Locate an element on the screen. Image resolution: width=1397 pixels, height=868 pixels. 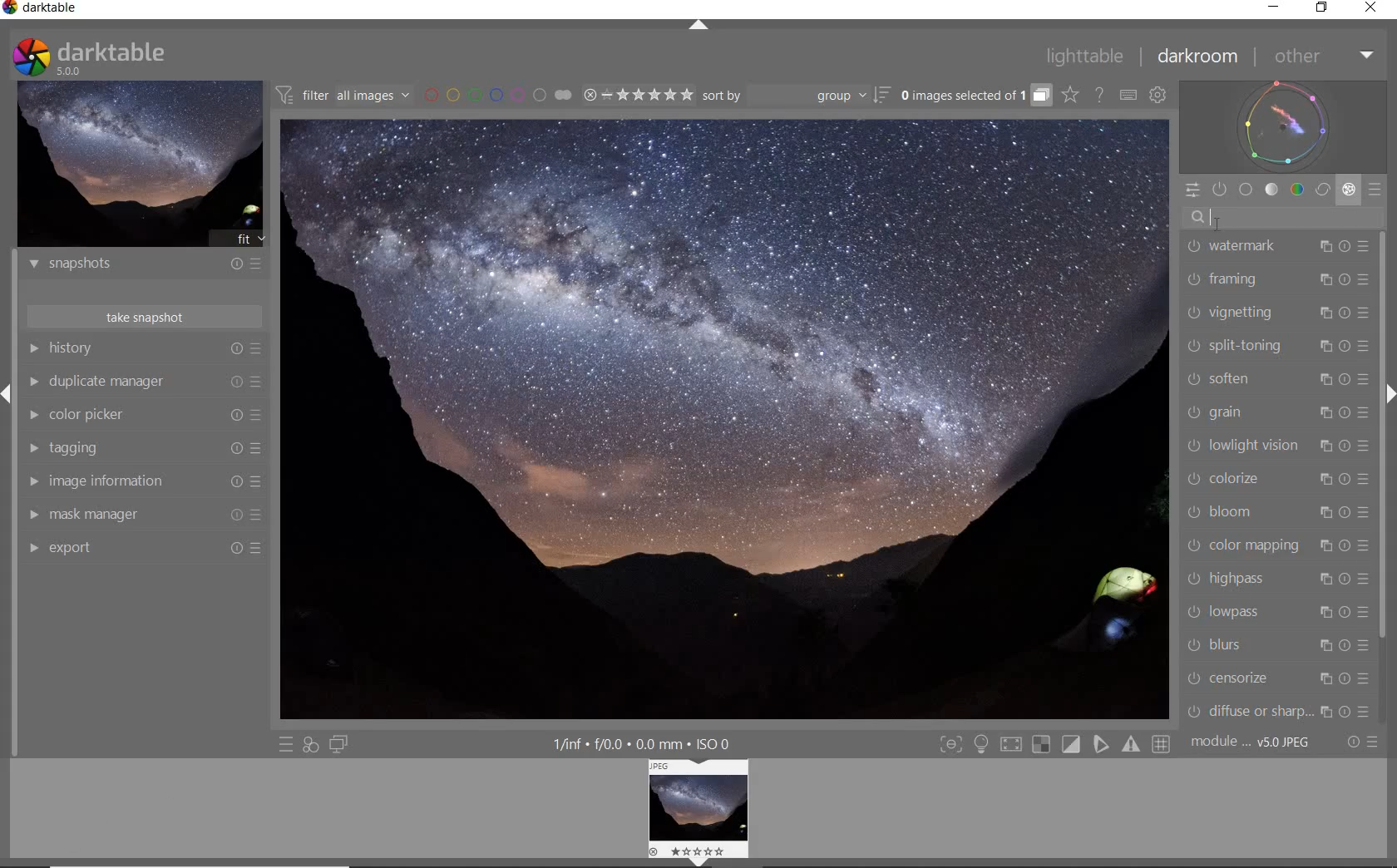
tagging is located at coordinates (86, 447).